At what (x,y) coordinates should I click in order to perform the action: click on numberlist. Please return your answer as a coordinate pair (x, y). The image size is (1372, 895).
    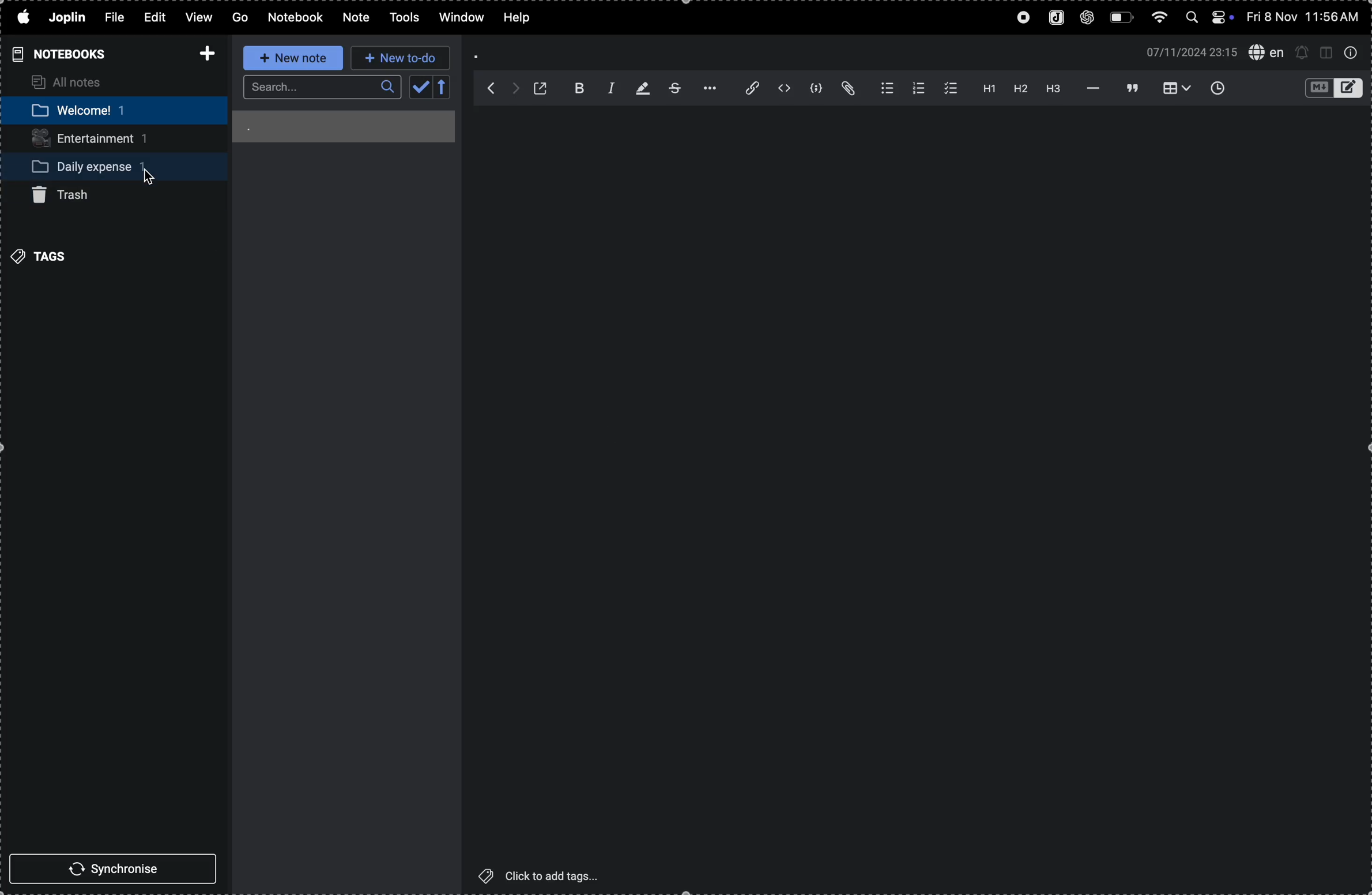
    Looking at the image, I should click on (916, 88).